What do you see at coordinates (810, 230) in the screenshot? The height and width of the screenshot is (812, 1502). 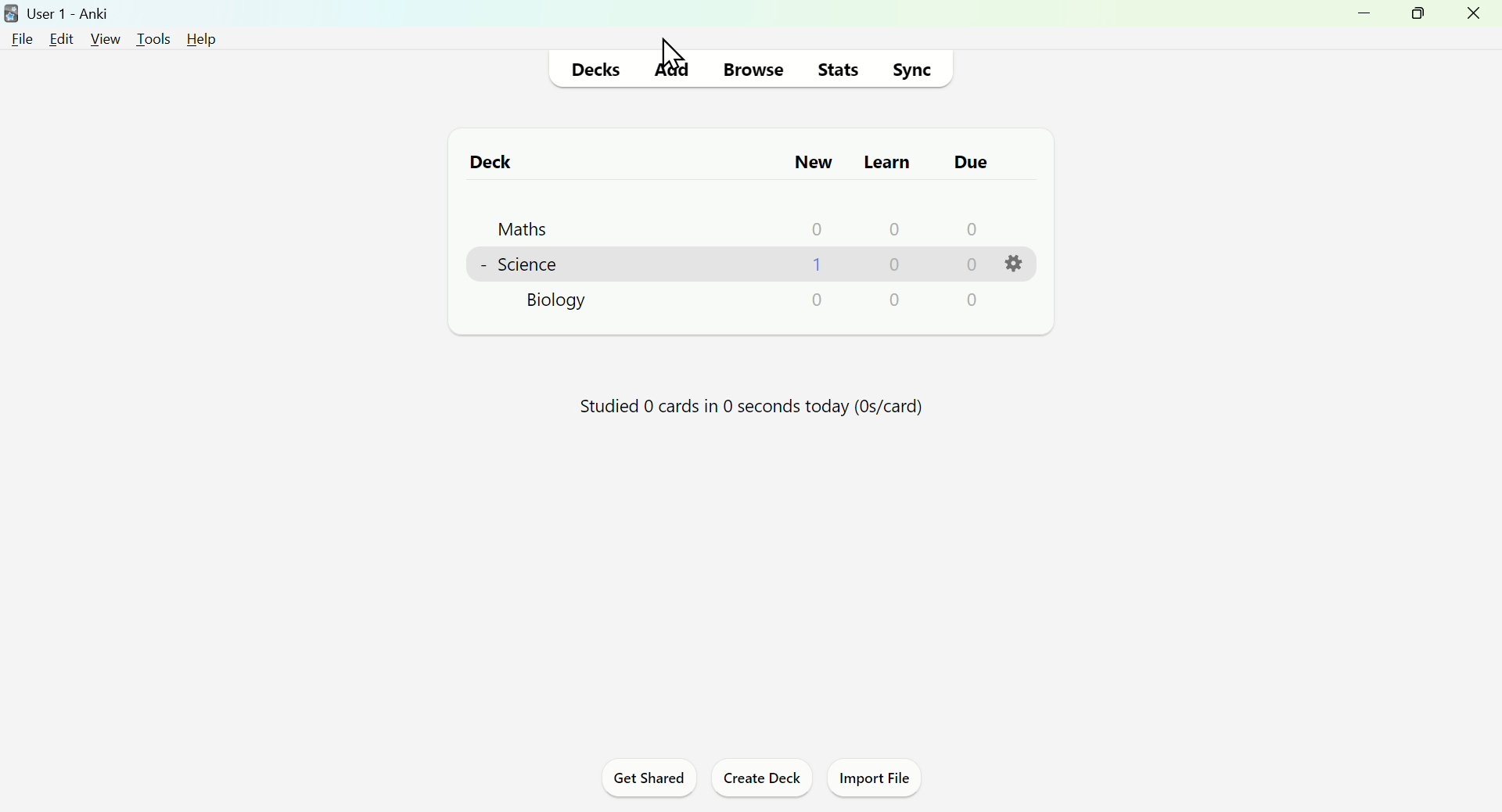 I see `0` at bounding box center [810, 230].